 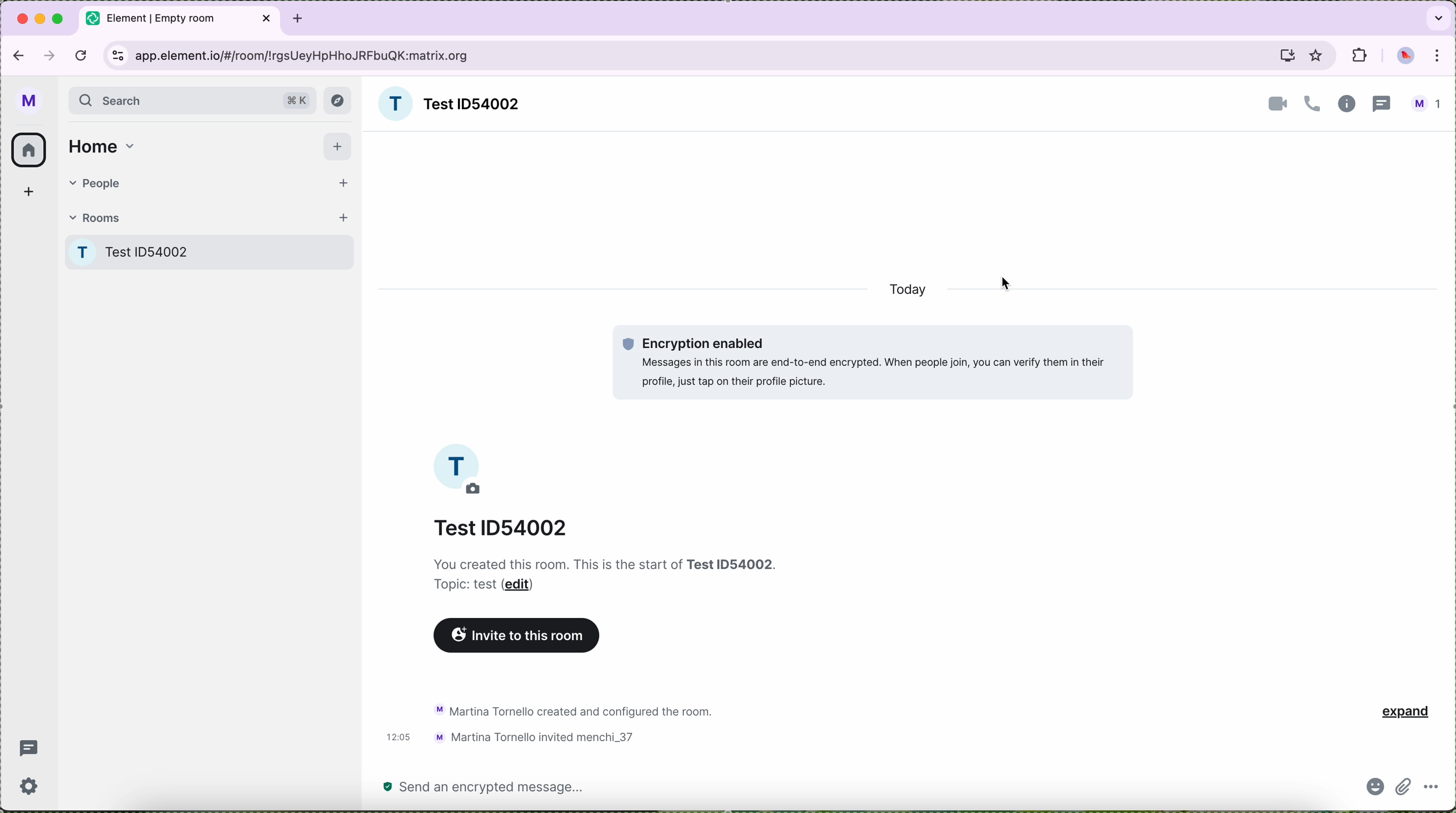 What do you see at coordinates (42, 19) in the screenshot?
I see `minimize` at bounding box center [42, 19].